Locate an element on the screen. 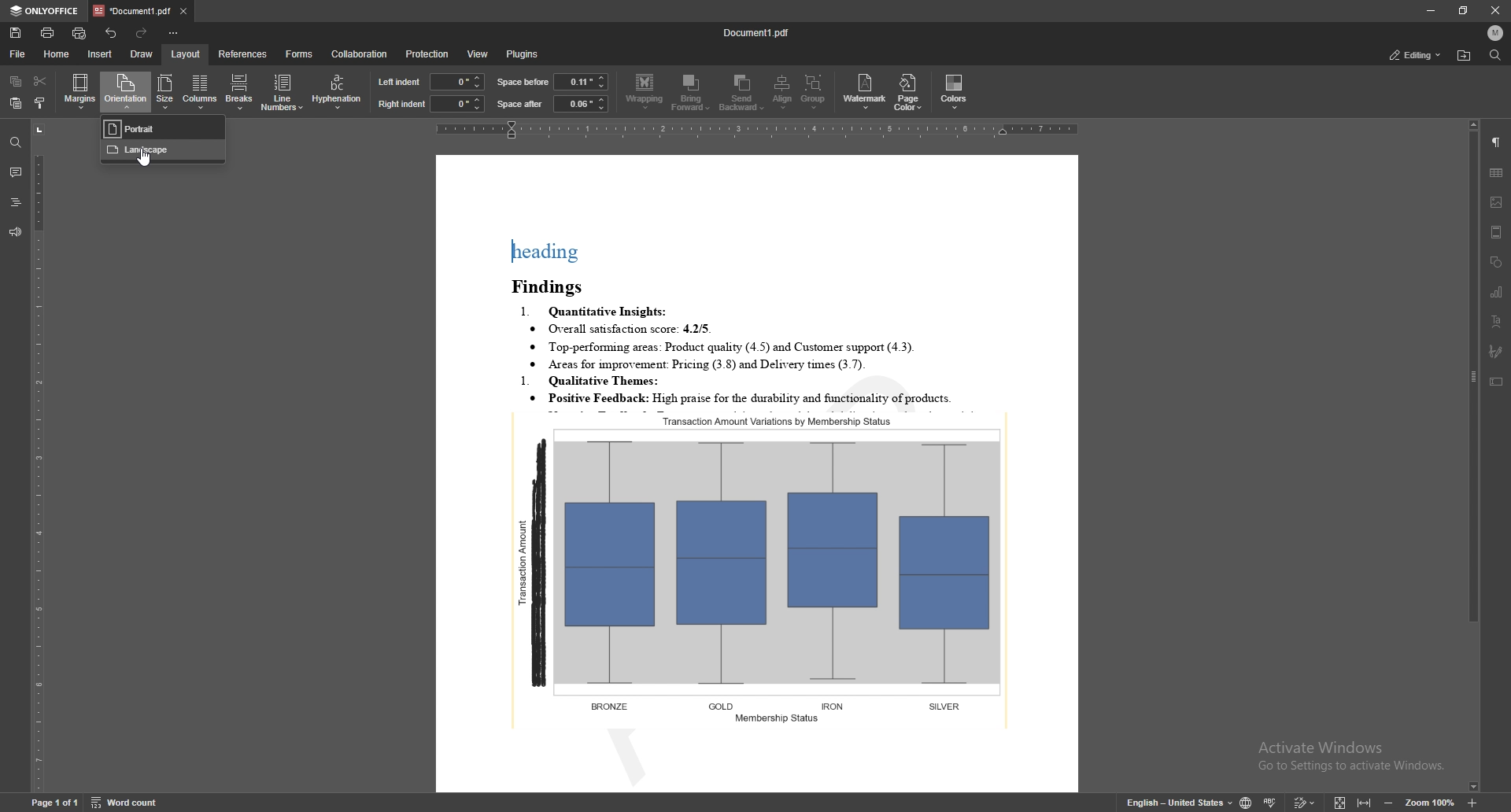 The width and height of the screenshot is (1511, 812). locate file is located at coordinates (1465, 56).